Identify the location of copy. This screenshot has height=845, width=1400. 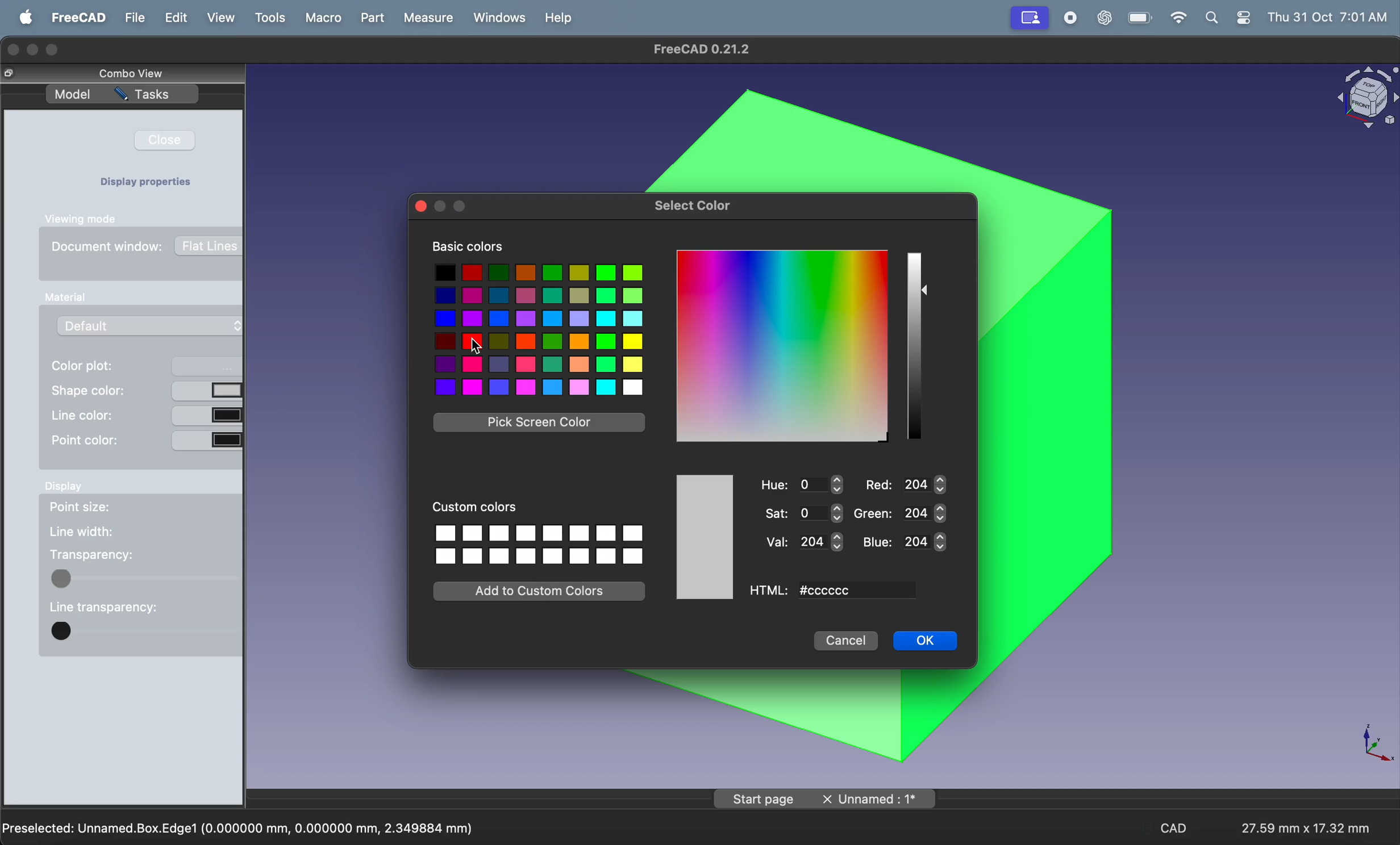
(15, 74).